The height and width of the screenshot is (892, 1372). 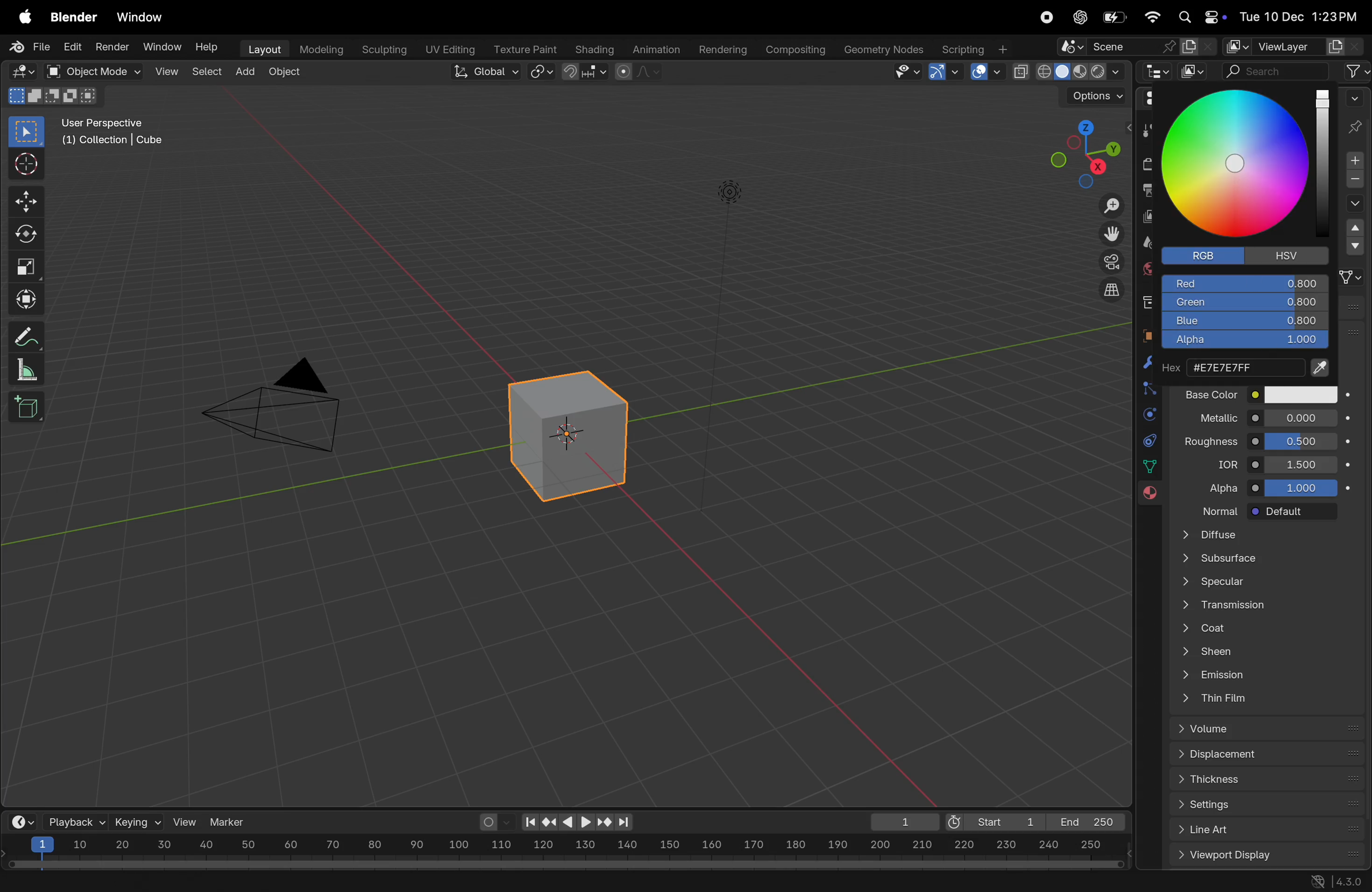 I want to click on transform, so click(x=24, y=297).